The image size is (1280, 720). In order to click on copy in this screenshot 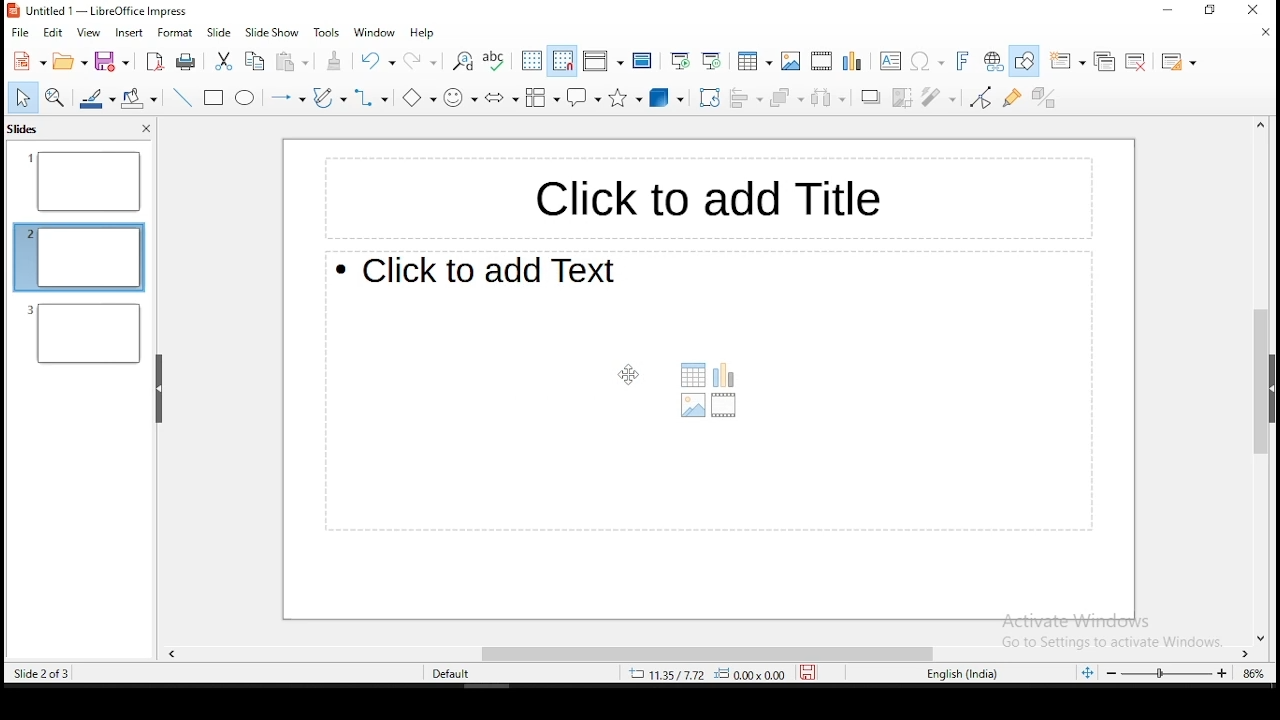, I will do `click(257, 62)`.